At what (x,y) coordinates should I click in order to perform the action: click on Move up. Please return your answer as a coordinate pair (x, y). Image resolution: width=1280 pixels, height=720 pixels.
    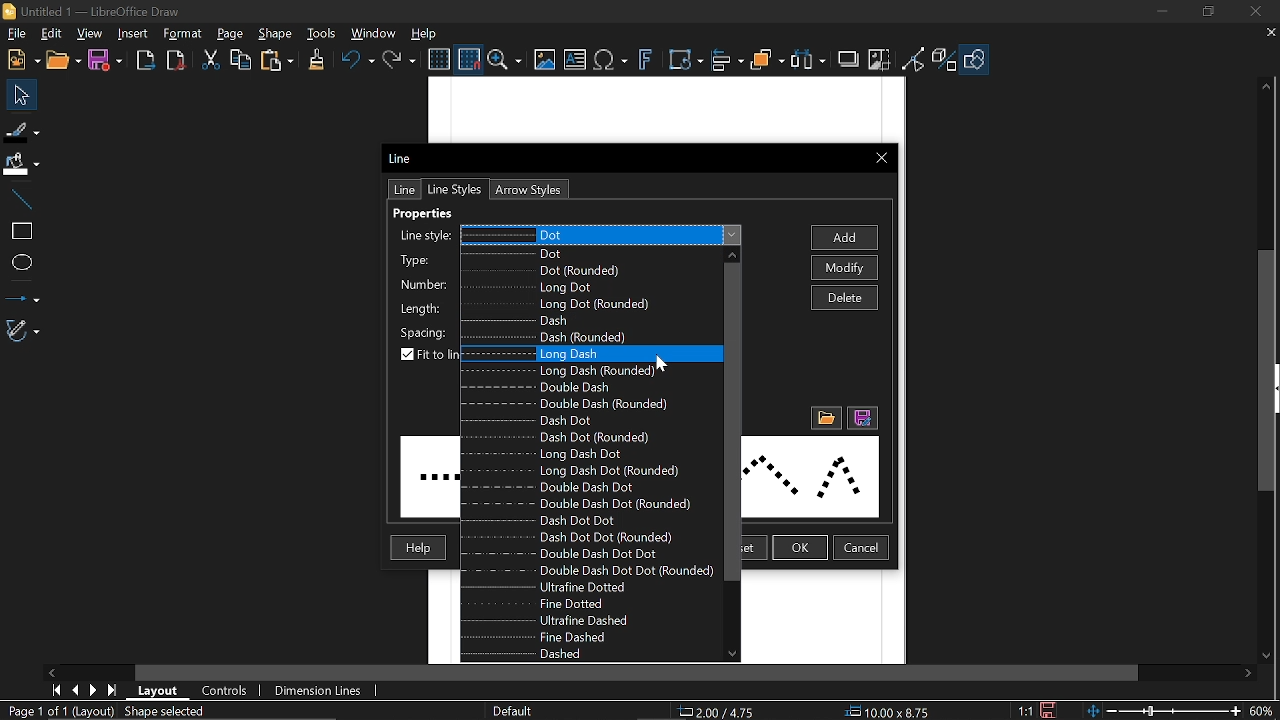
    Looking at the image, I should click on (732, 254).